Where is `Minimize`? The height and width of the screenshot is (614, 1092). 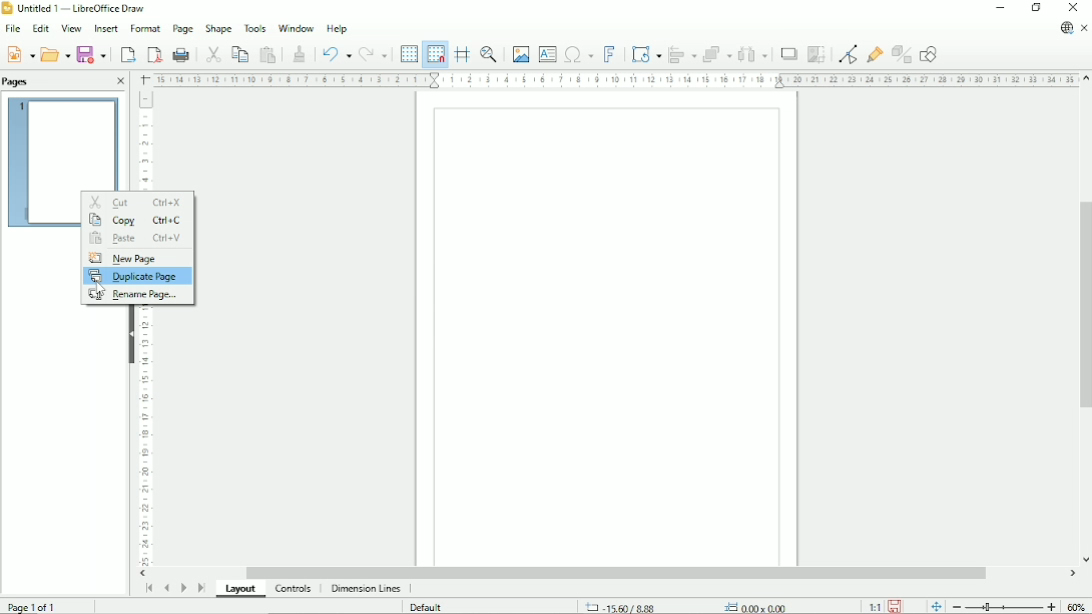 Minimize is located at coordinates (999, 8).